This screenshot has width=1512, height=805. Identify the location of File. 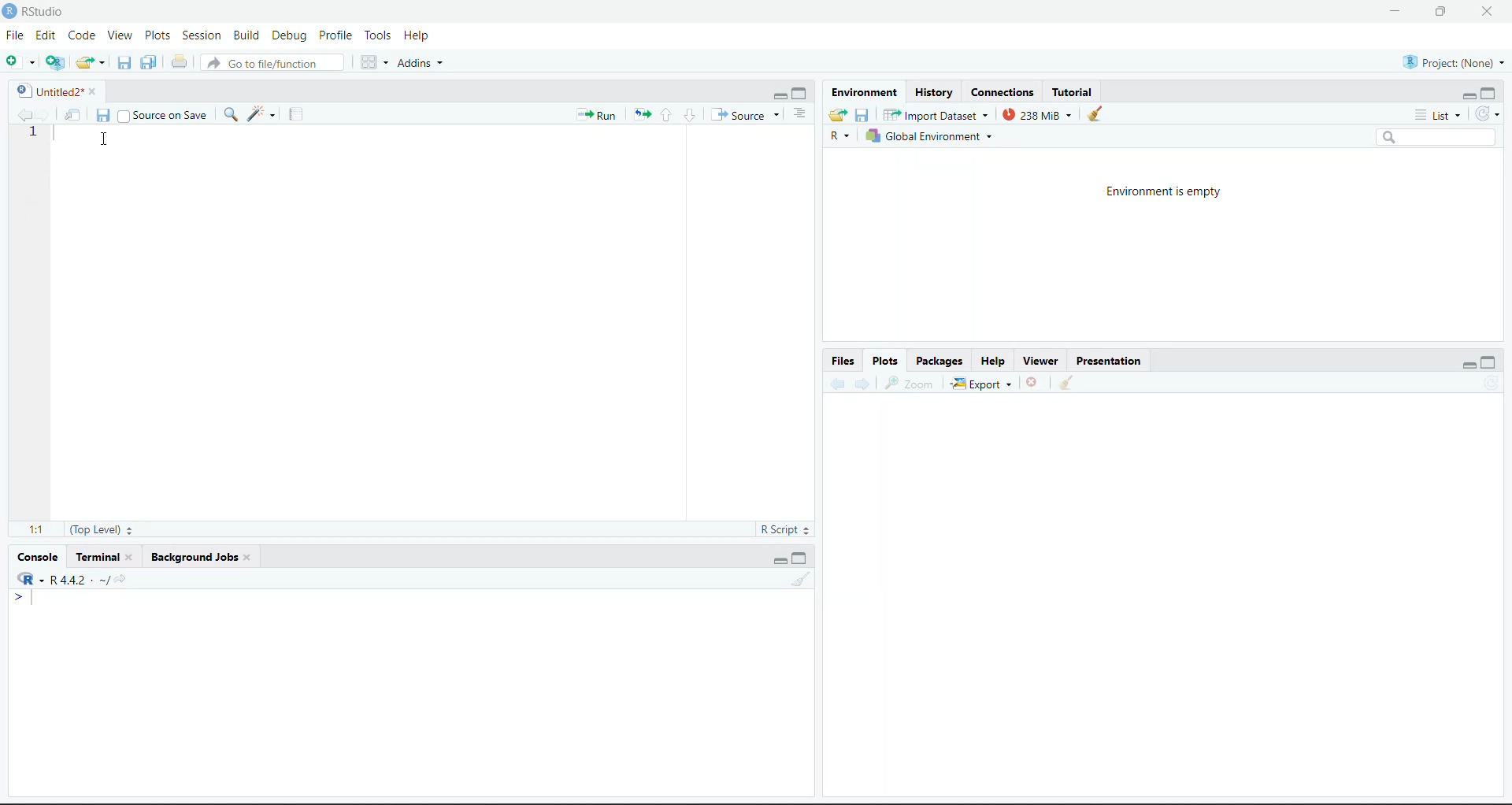
(16, 35).